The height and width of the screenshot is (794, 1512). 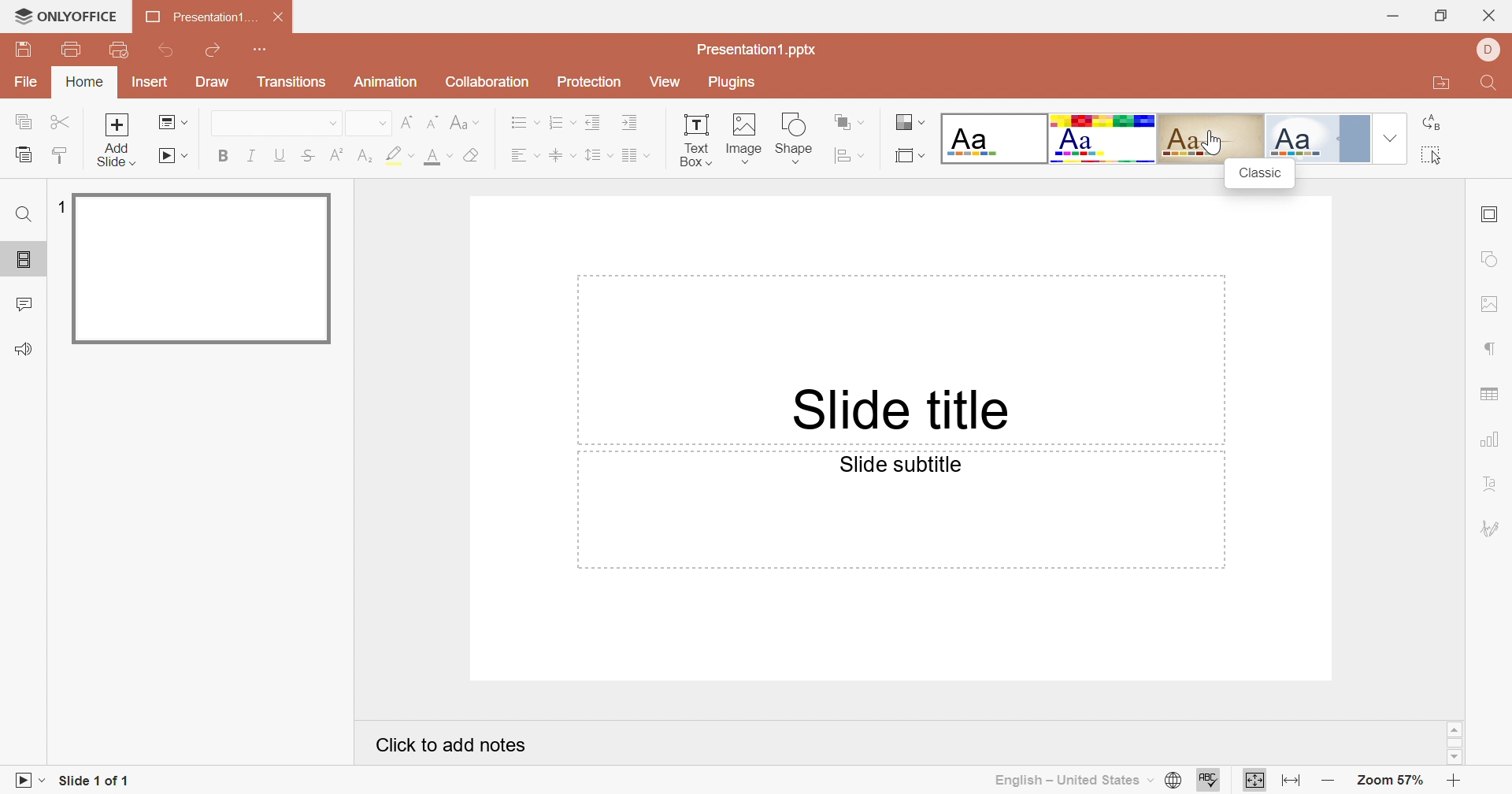 I want to click on Replace, so click(x=1425, y=124).